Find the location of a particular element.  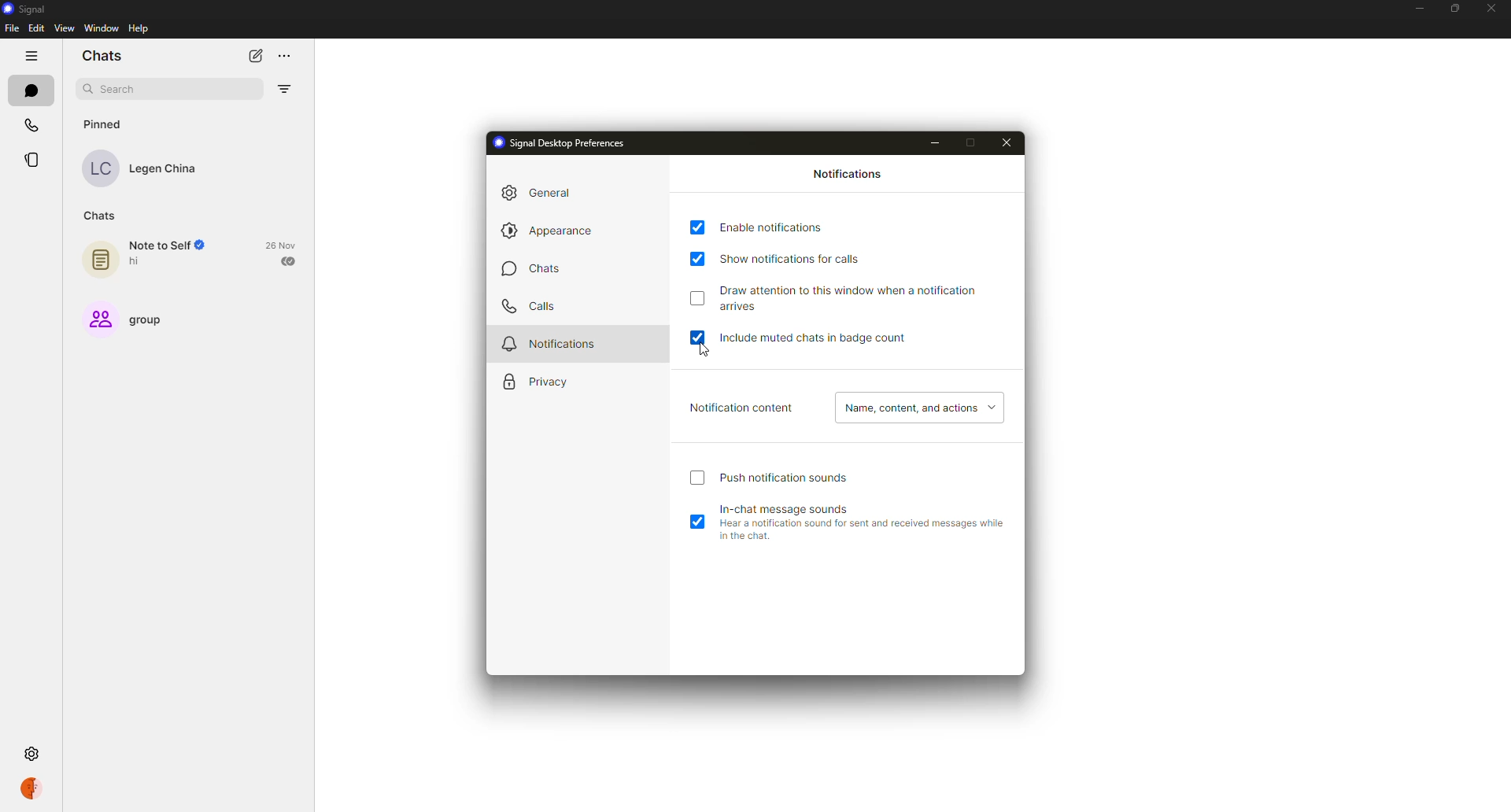

show notifications for calls is located at coordinates (806, 259).